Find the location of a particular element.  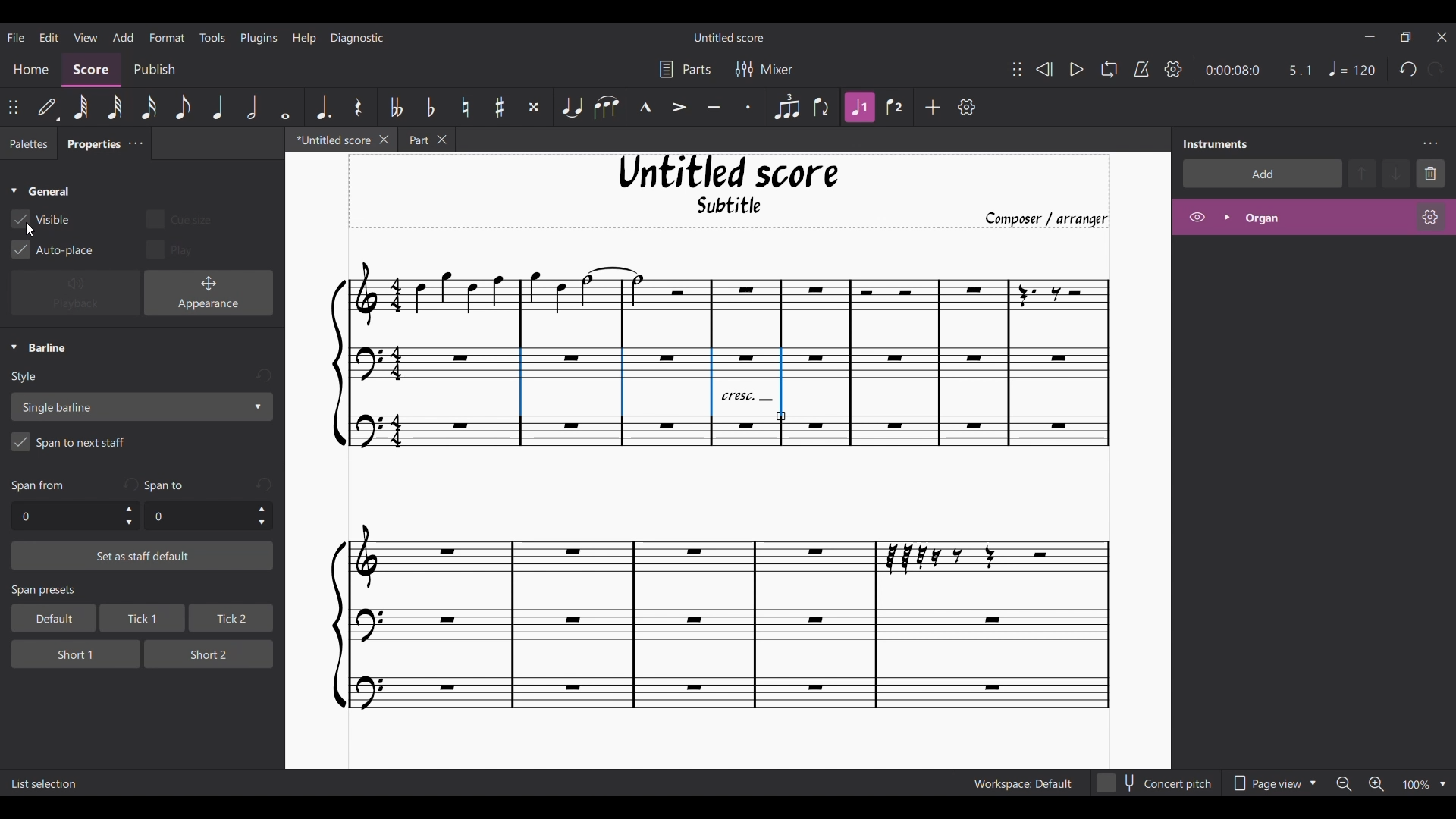

default is located at coordinates (49, 618).